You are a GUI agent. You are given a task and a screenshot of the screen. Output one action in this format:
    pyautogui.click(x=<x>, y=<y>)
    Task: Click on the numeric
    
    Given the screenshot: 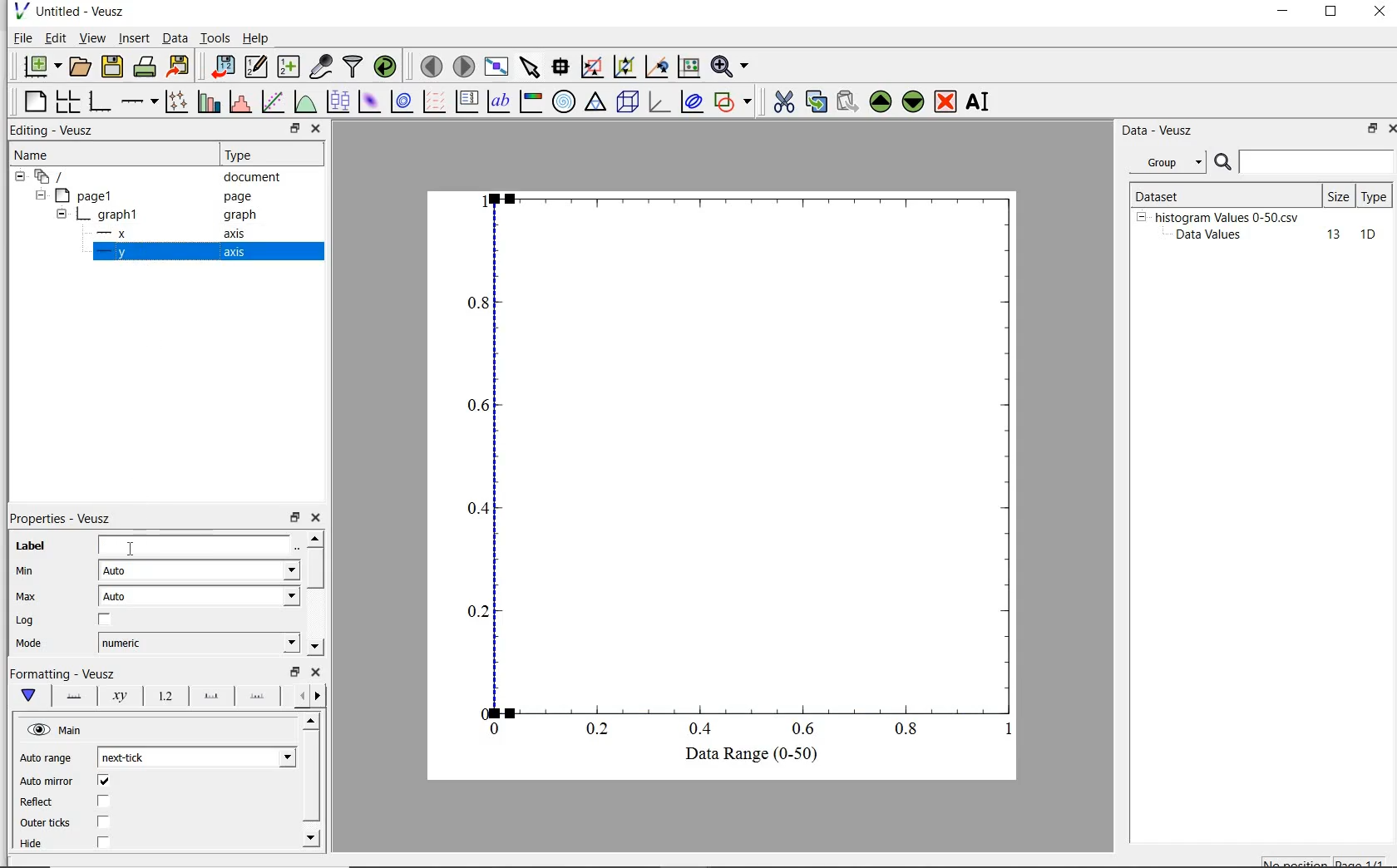 What is the action you would take?
    pyautogui.click(x=197, y=643)
    